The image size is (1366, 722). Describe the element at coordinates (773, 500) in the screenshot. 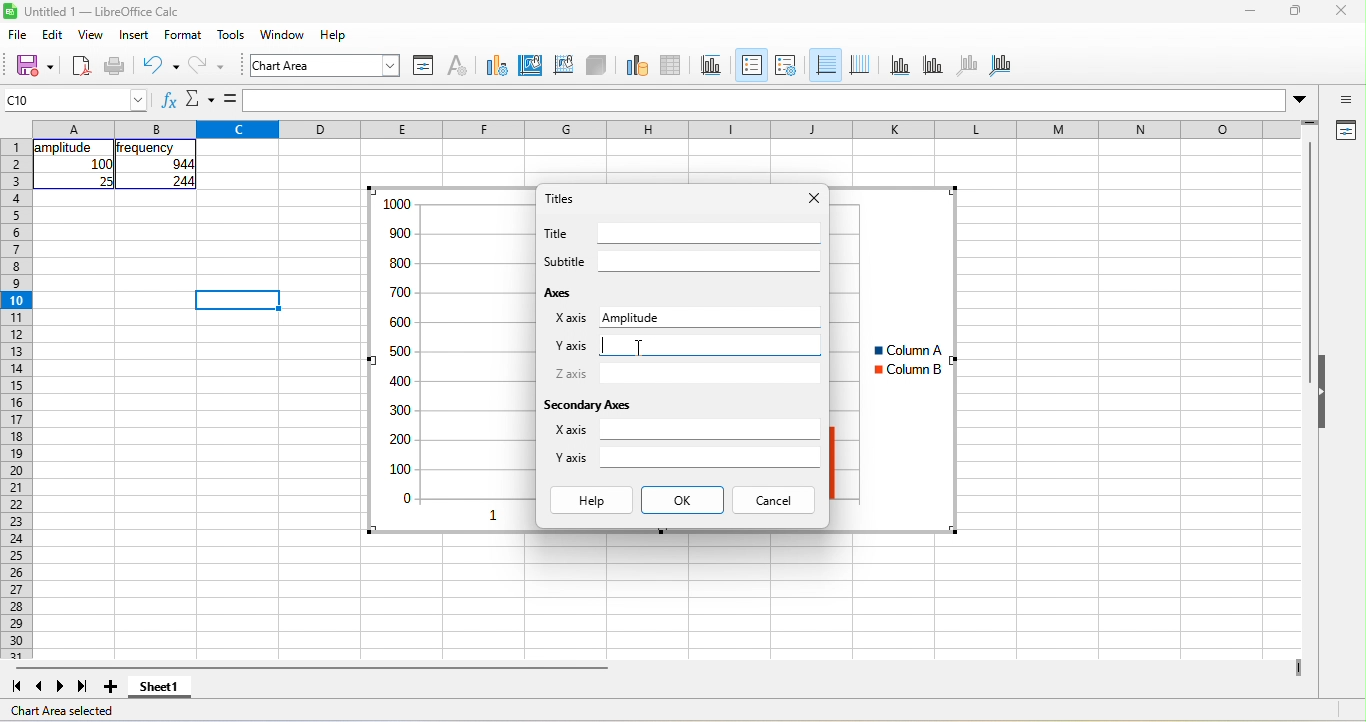

I see `cancel` at that location.